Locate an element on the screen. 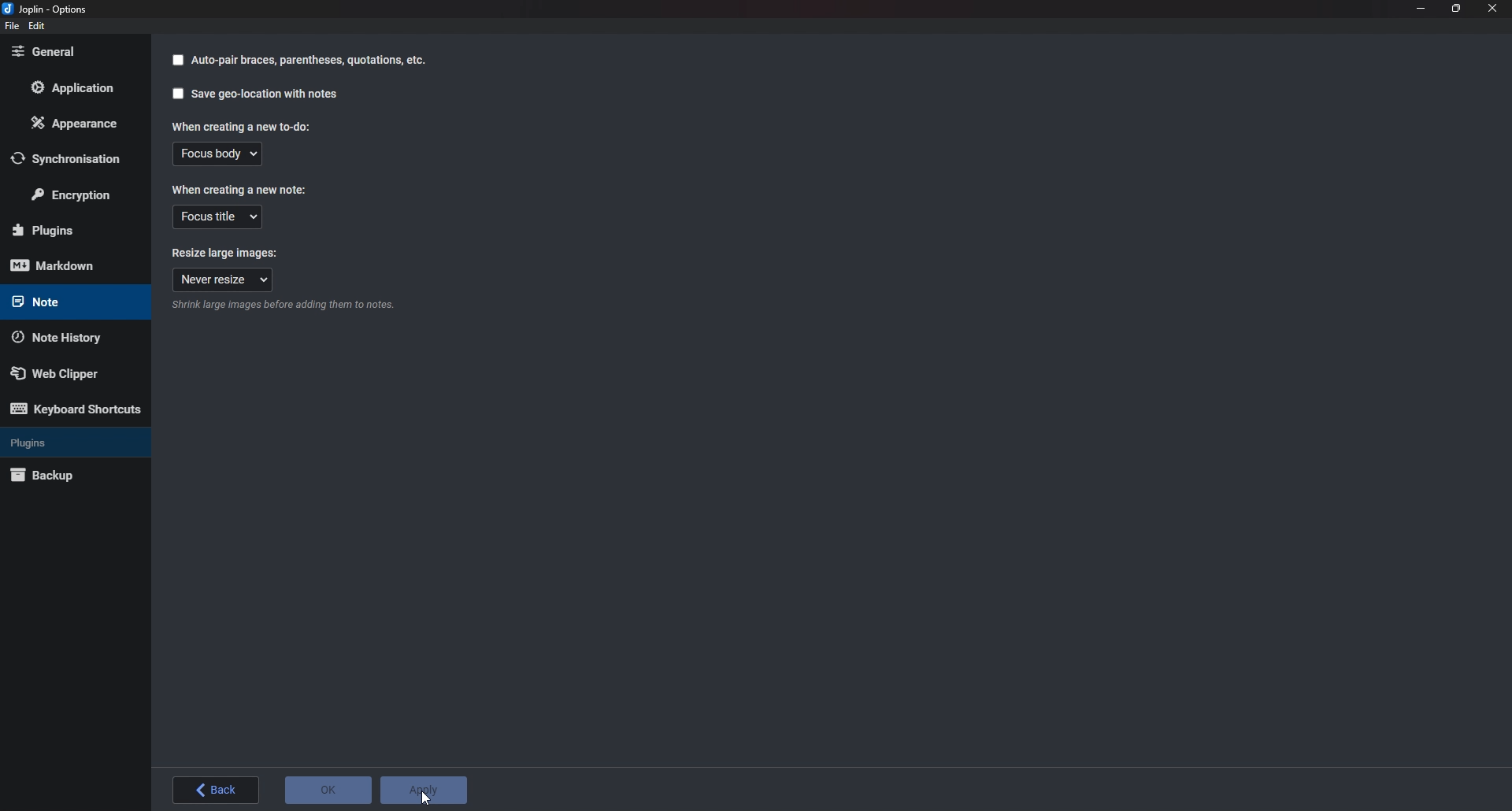 Image resolution: width=1512 pixels, height=811 pixels. Save Geolocation with notes is located at coordinates (252, 96).